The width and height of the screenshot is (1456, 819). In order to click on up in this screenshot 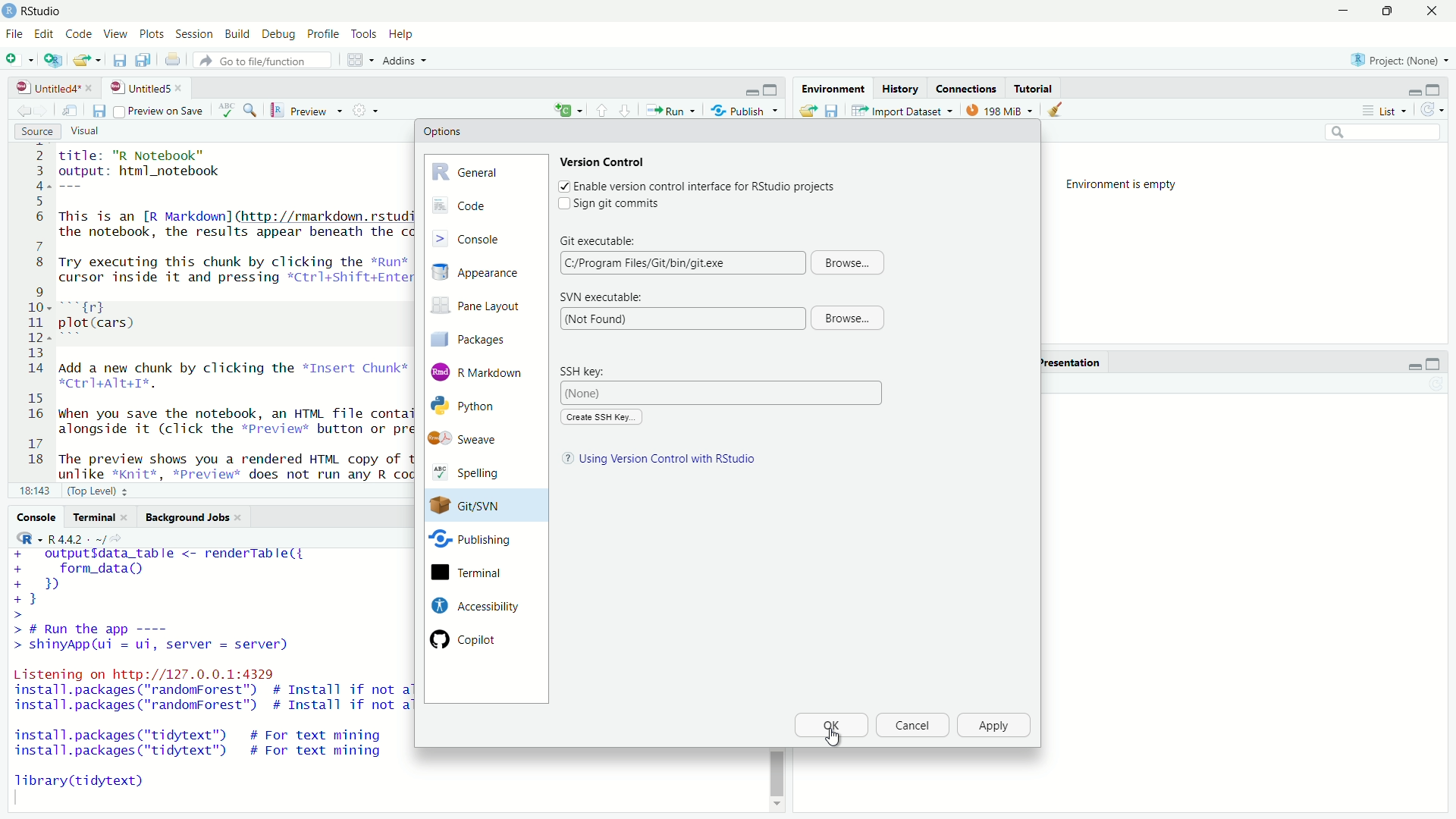, I will do `click(626, 109)`.